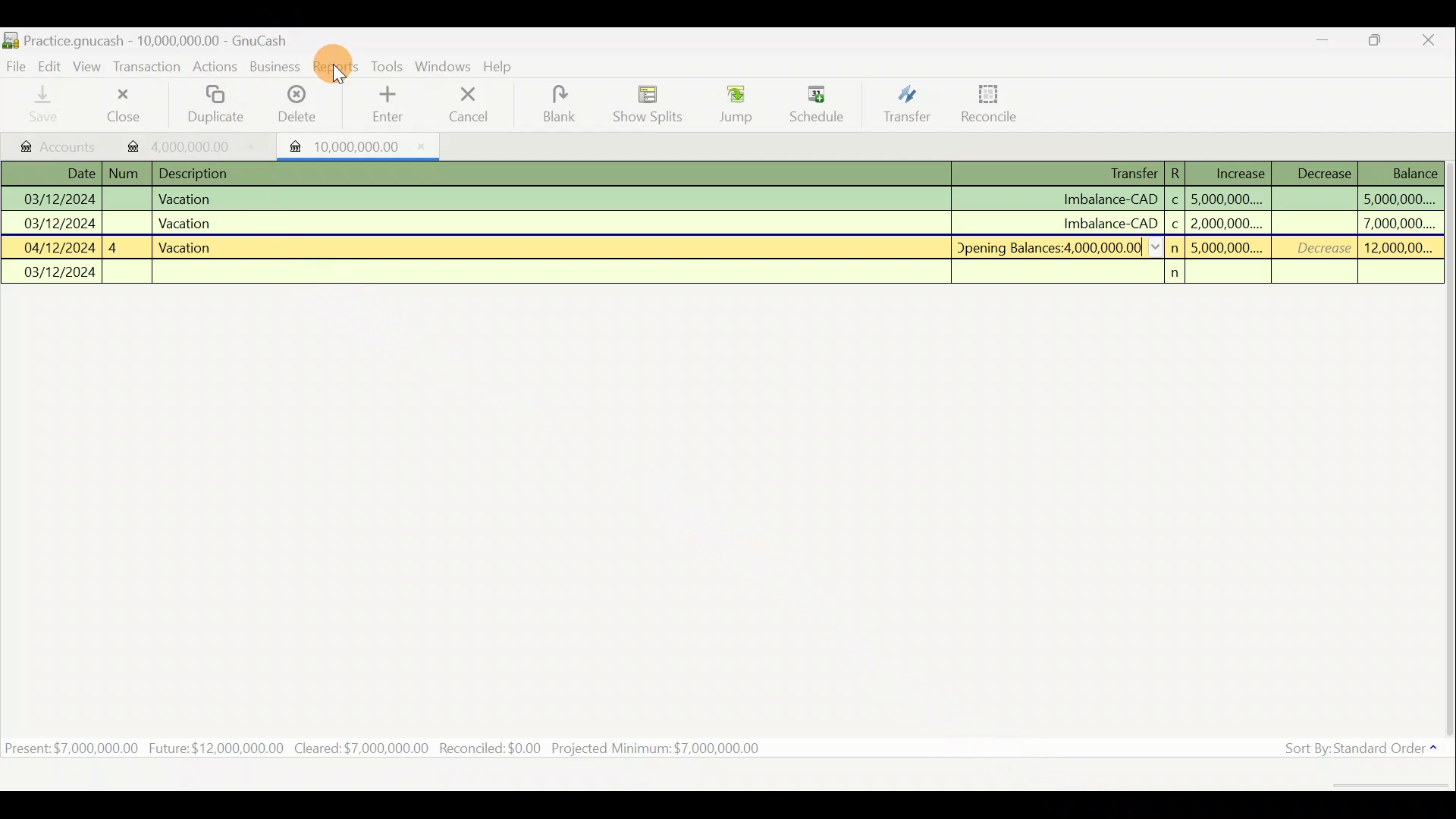 The image size is (1456, 819). Describe the element at coordinates (385, 105) in the screenshot. I see `Enter` at that location.